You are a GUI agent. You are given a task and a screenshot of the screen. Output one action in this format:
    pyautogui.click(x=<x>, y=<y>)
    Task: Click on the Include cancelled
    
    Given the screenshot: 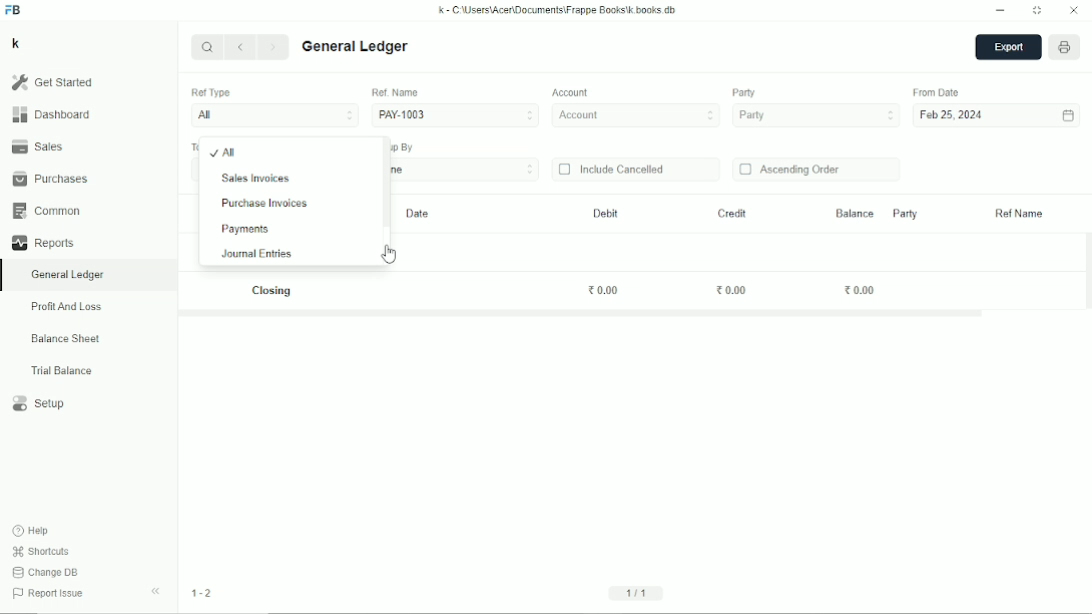 What is the action you would take?
    pyautogui.click(x=611, y=169)
    